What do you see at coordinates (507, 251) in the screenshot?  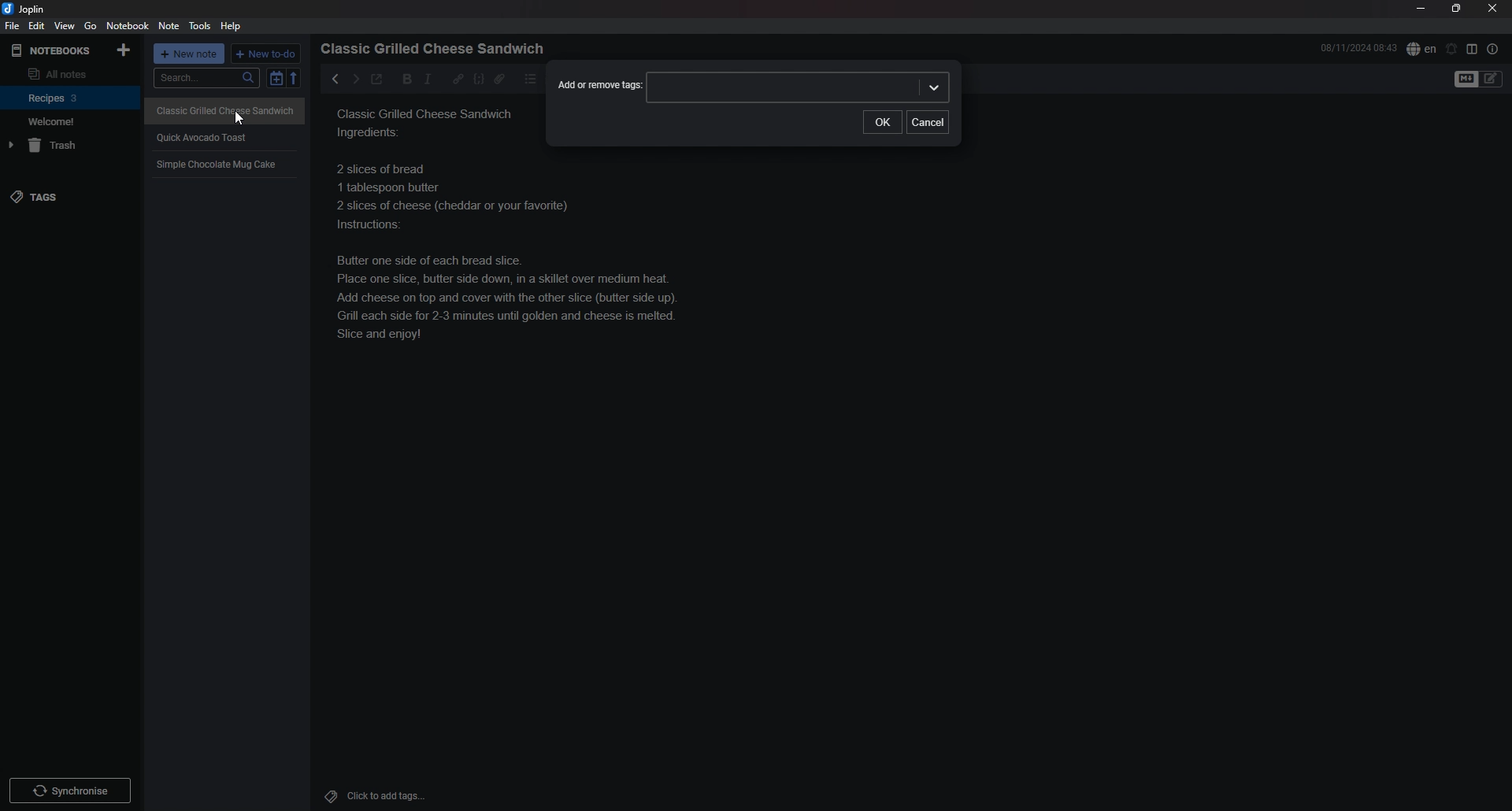 I see `Simple chocolate mug cake` at bounding box center [507, 251].